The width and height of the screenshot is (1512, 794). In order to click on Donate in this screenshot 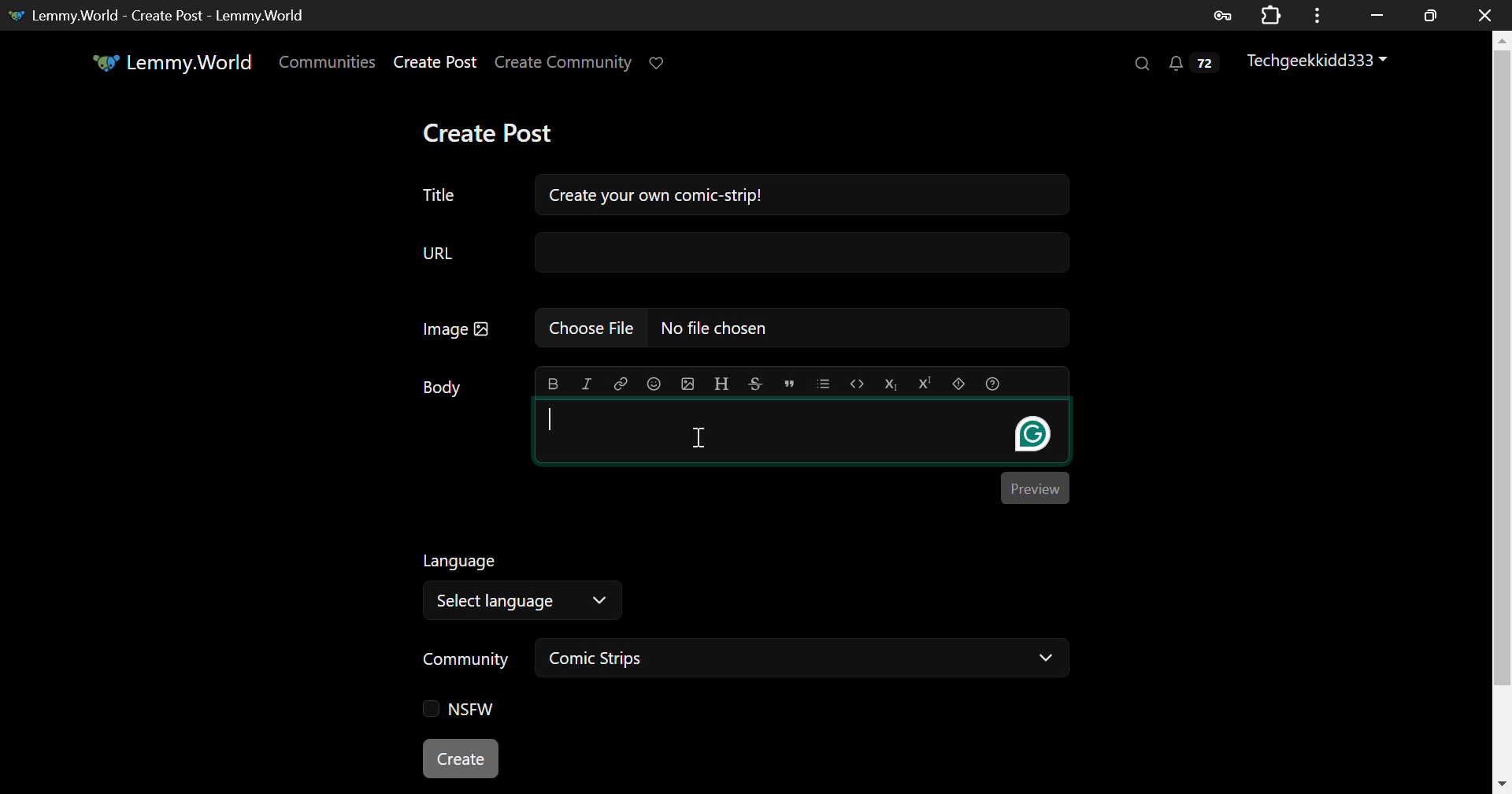, I will do `click(661, 61)`.